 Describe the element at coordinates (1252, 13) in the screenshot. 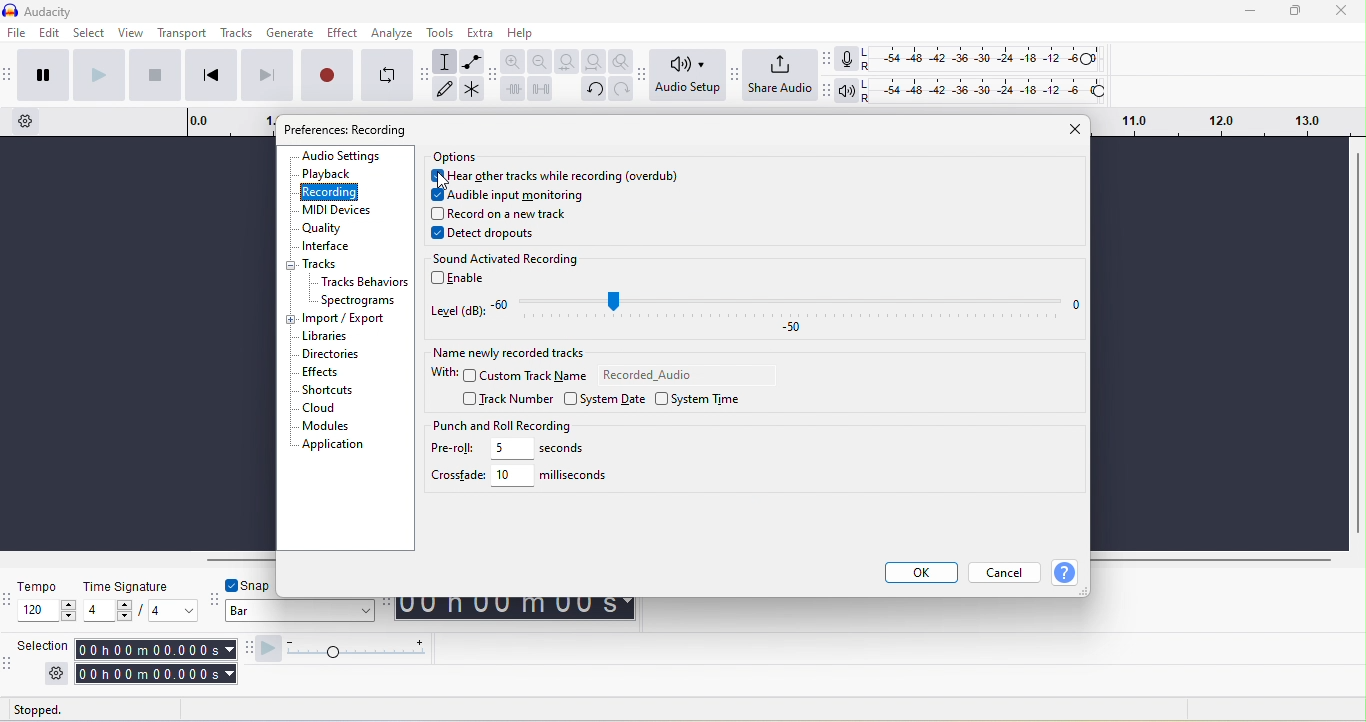

I see `minimize` at that location.